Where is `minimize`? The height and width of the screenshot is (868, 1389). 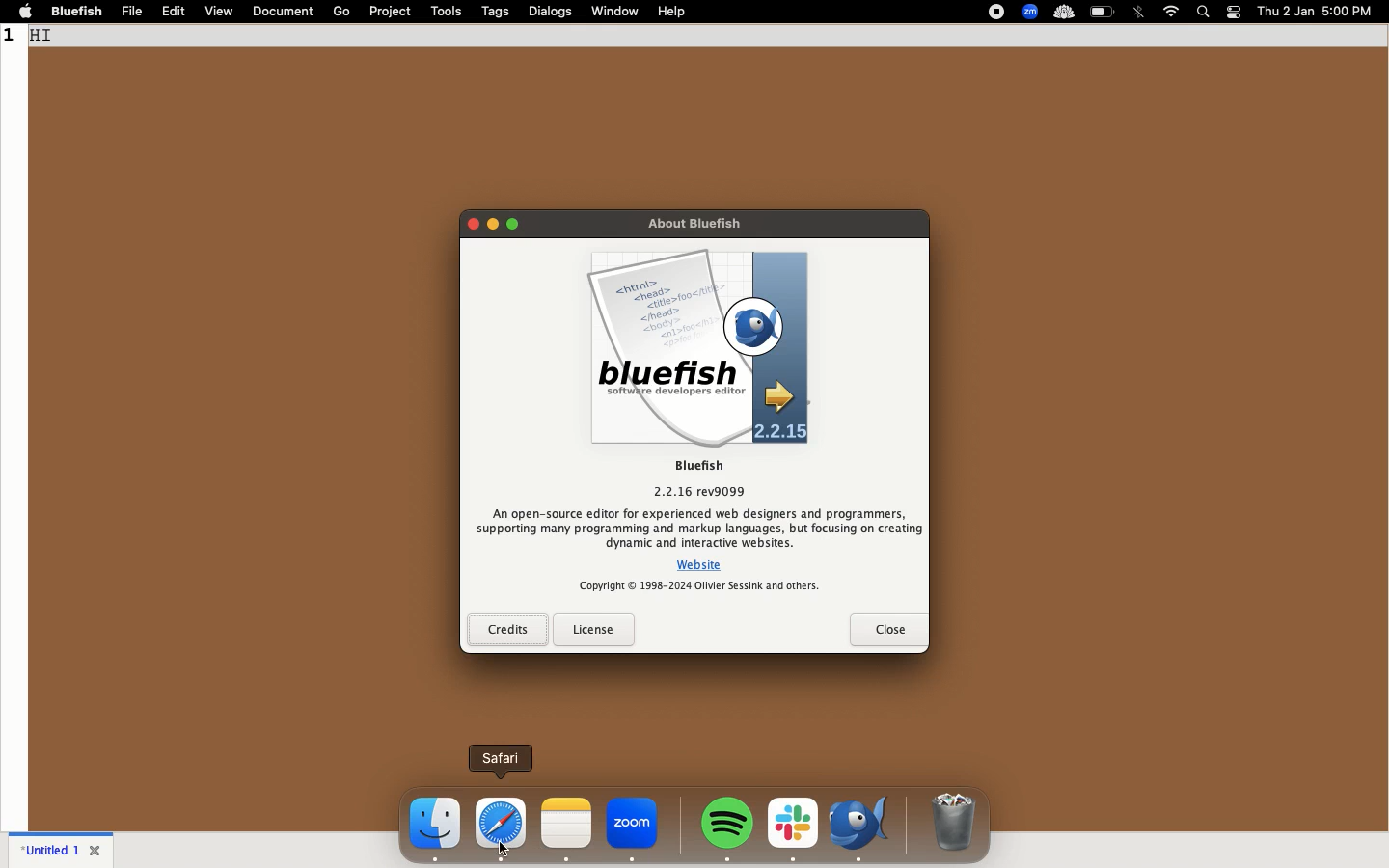 minimize is located at coordinates (491, 227).